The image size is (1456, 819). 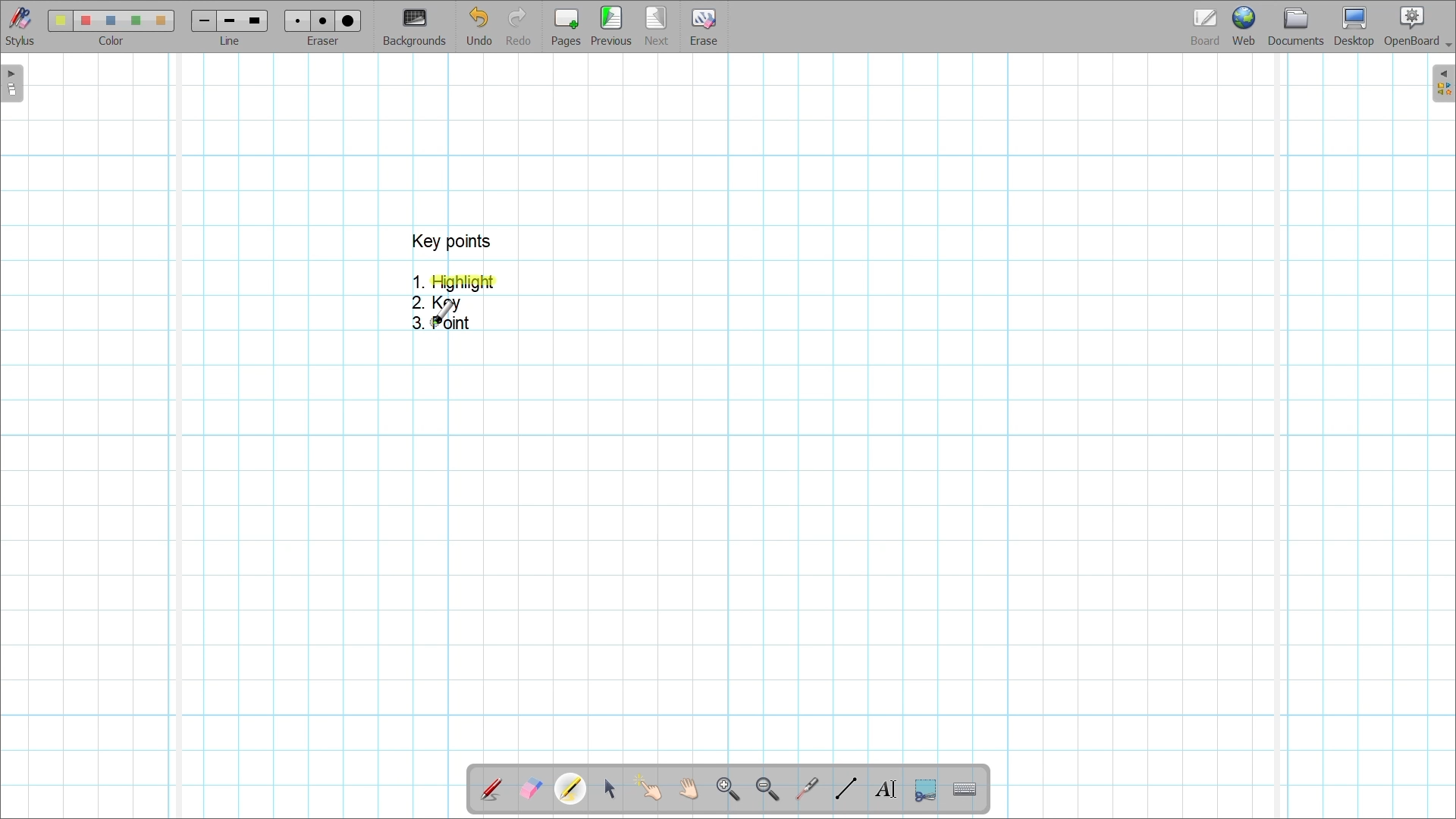 What do you see at coordinates (519, 26) in the screenshot?
I see `Redo` at bounding box center [519, 26].